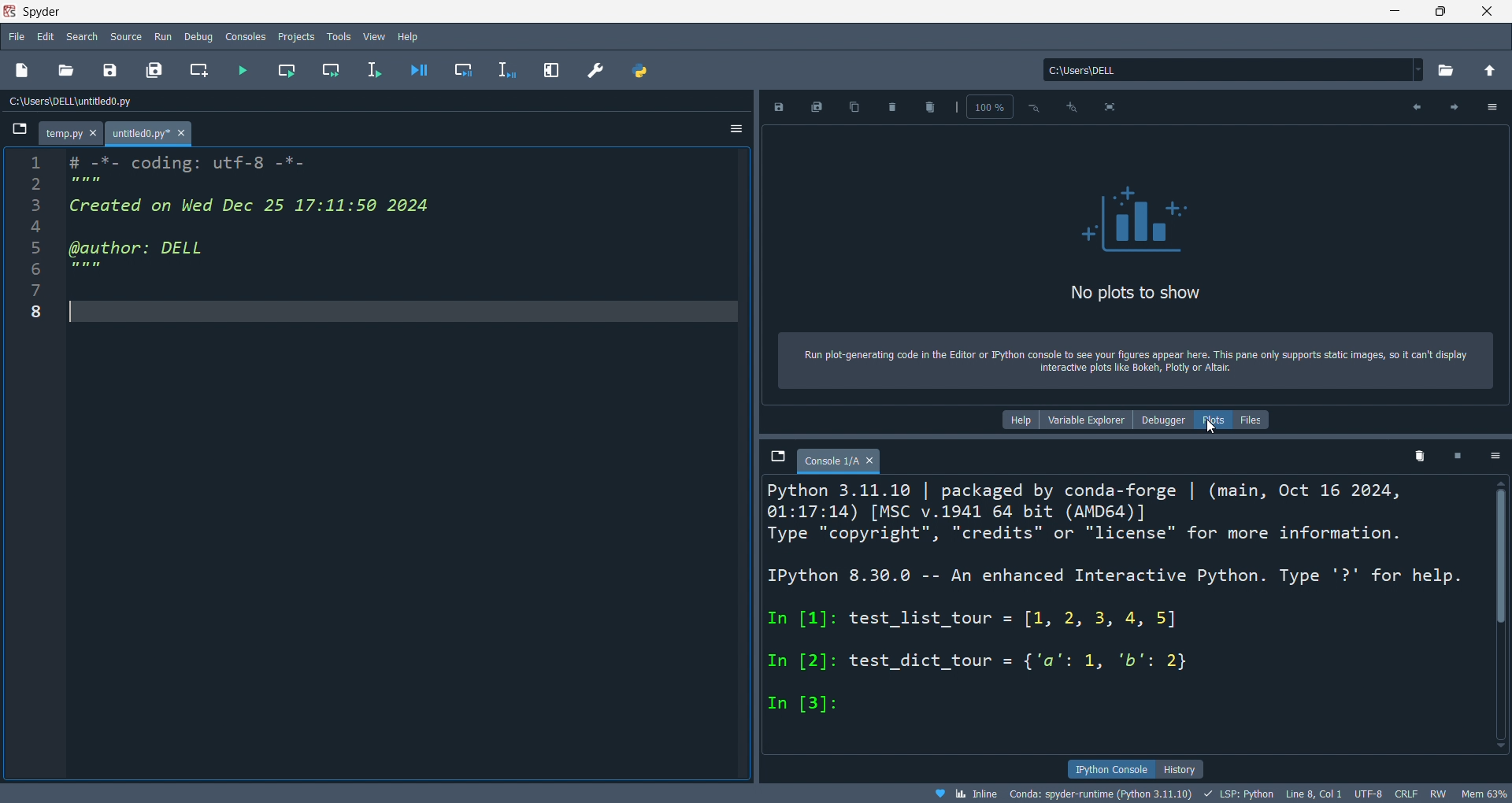 The image size is (1512, 803). What do you see at coordinates (1494, 106) in the screenshot?
I see `more options` at bounding box center [1494, 106].